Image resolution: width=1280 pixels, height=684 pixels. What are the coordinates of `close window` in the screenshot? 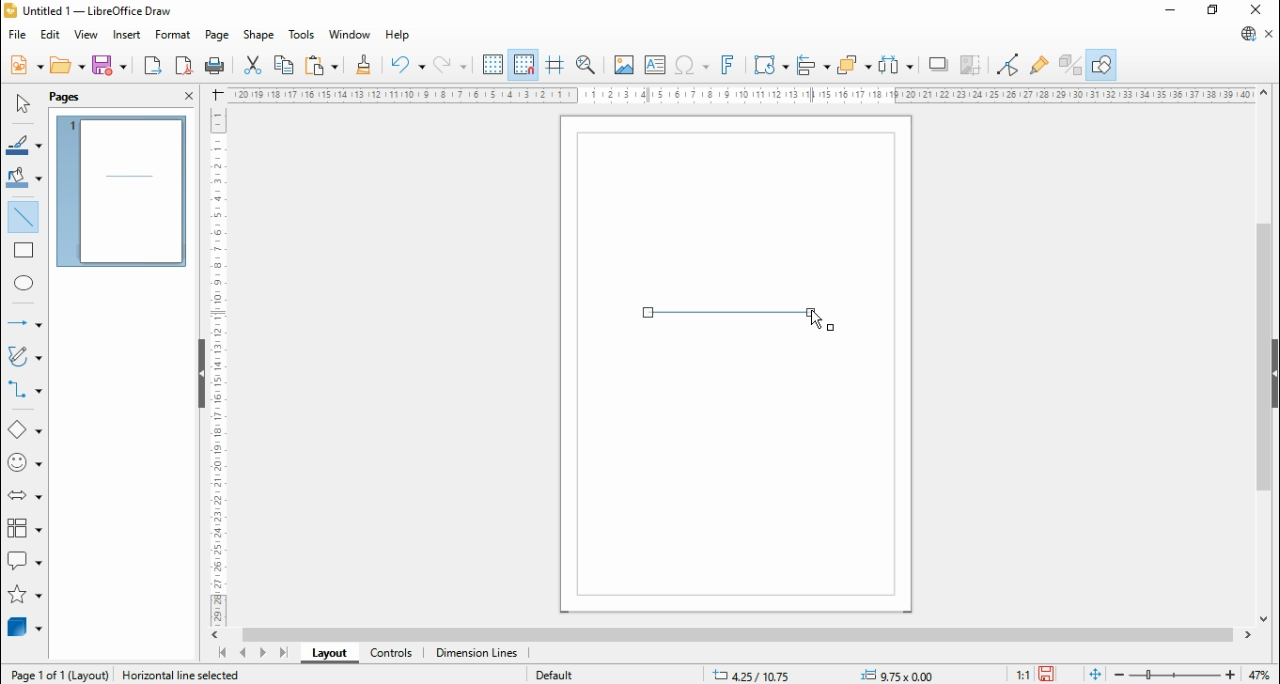 It's located at (1253, 10).